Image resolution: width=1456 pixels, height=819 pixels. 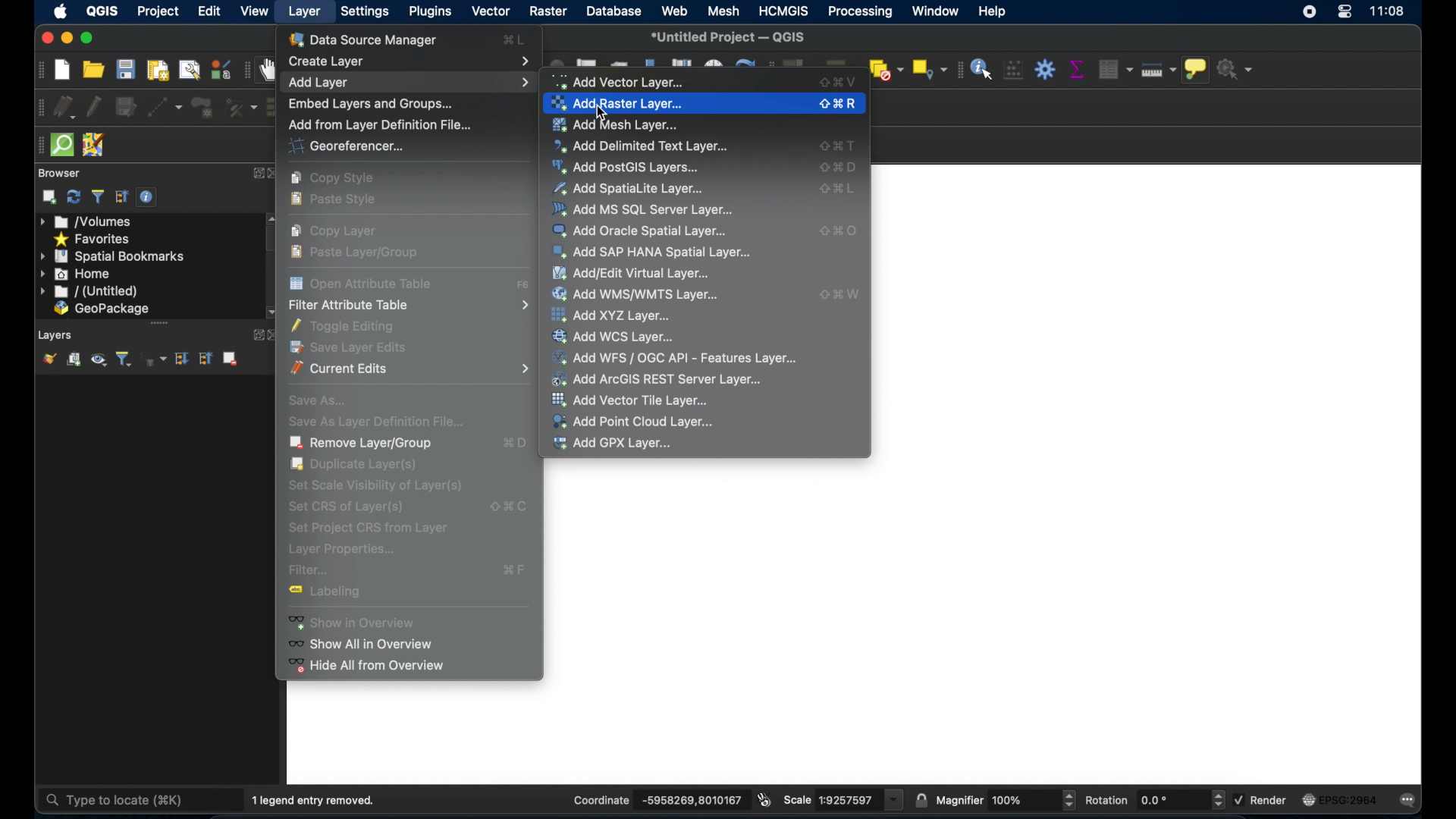 What do you see at coordinates (633, 421) in the screenshot?
I see `add point cloud layer` at bounding box center [633, 421].